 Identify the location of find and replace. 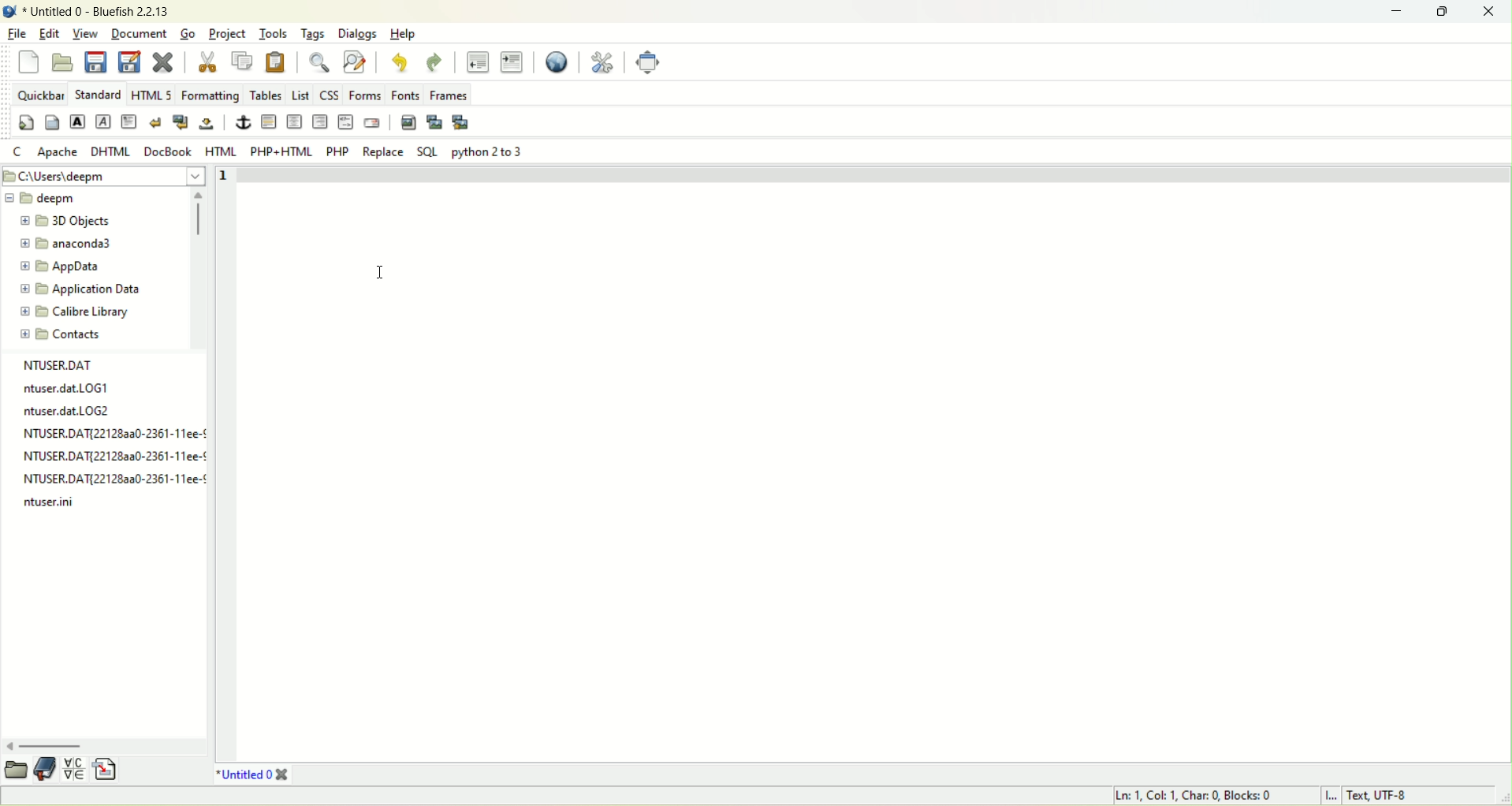
(356, 62).